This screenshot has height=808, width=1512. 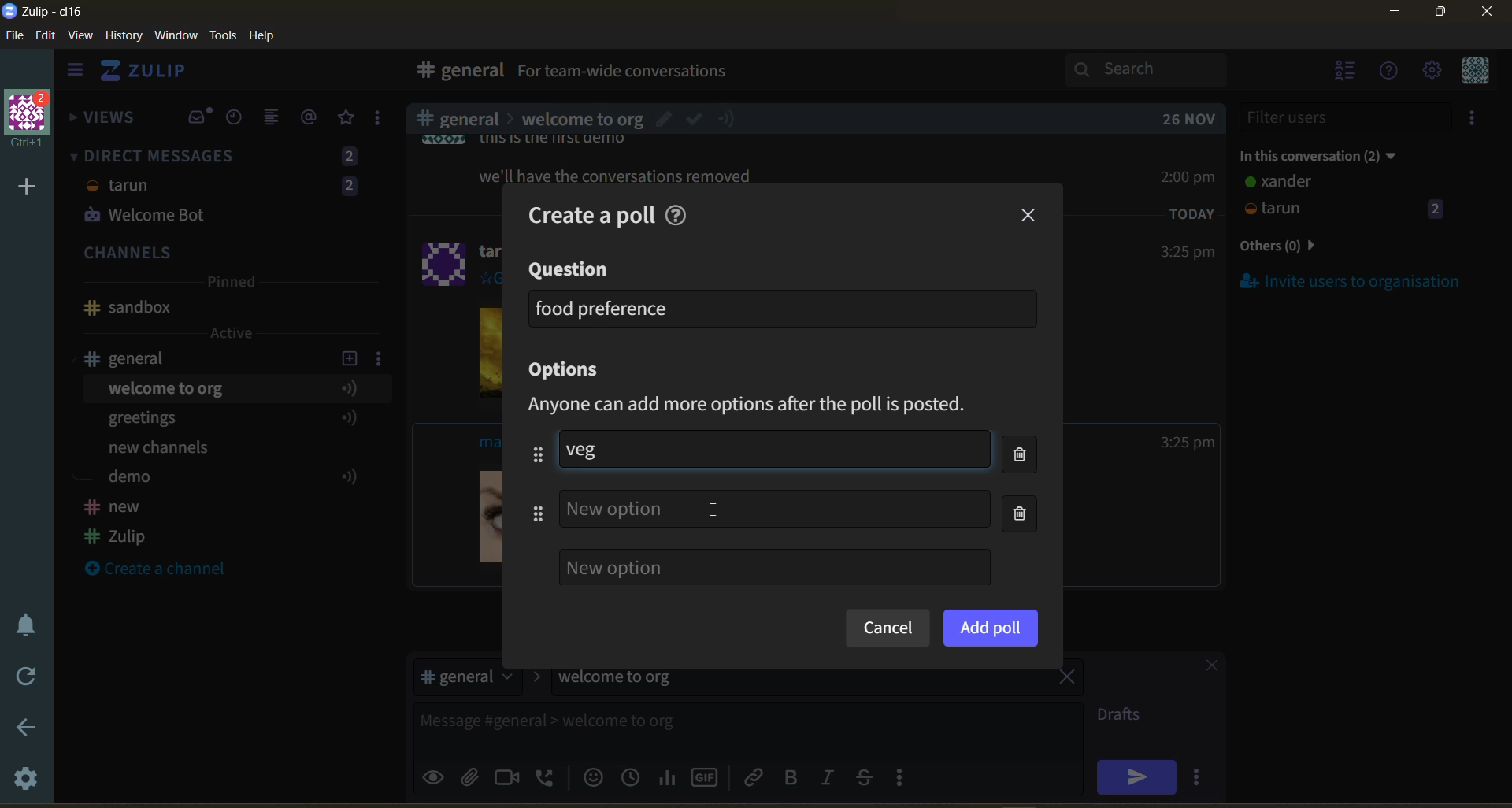 I want to click on search, so click(x=1160, y=69).